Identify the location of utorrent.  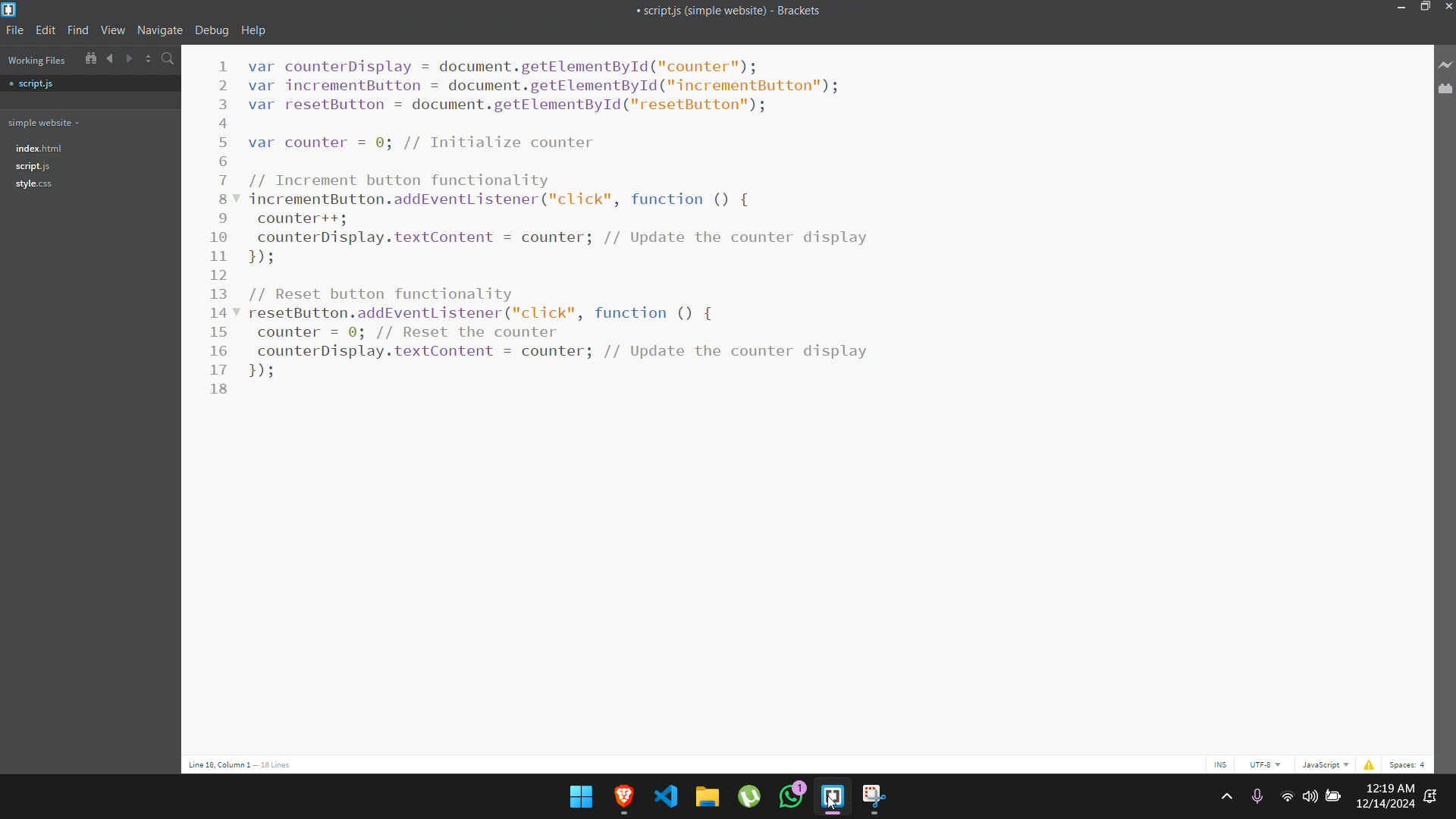
(749, 795).